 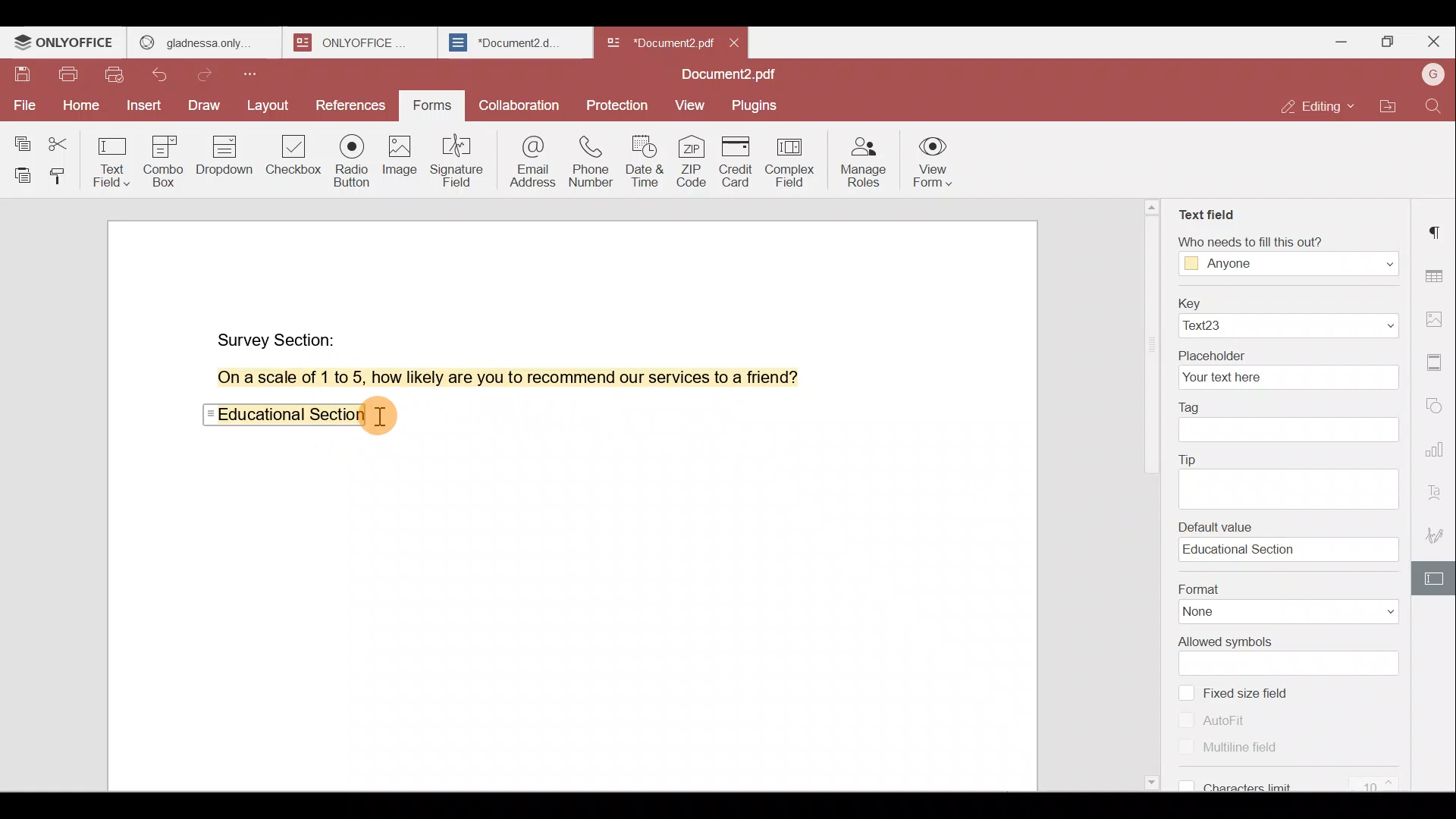 I want to click on Header & footer settings, so click(x=1438, y=361).